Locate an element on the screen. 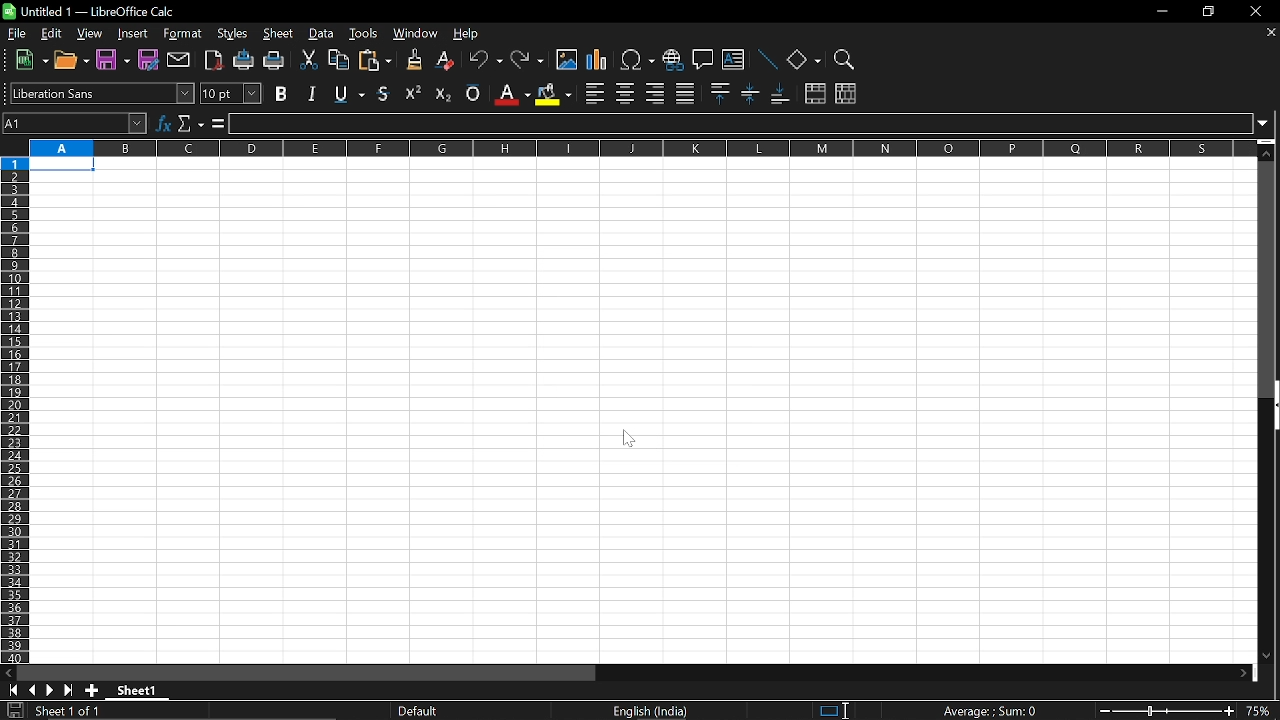  overline is located at coordinates (473, 91).